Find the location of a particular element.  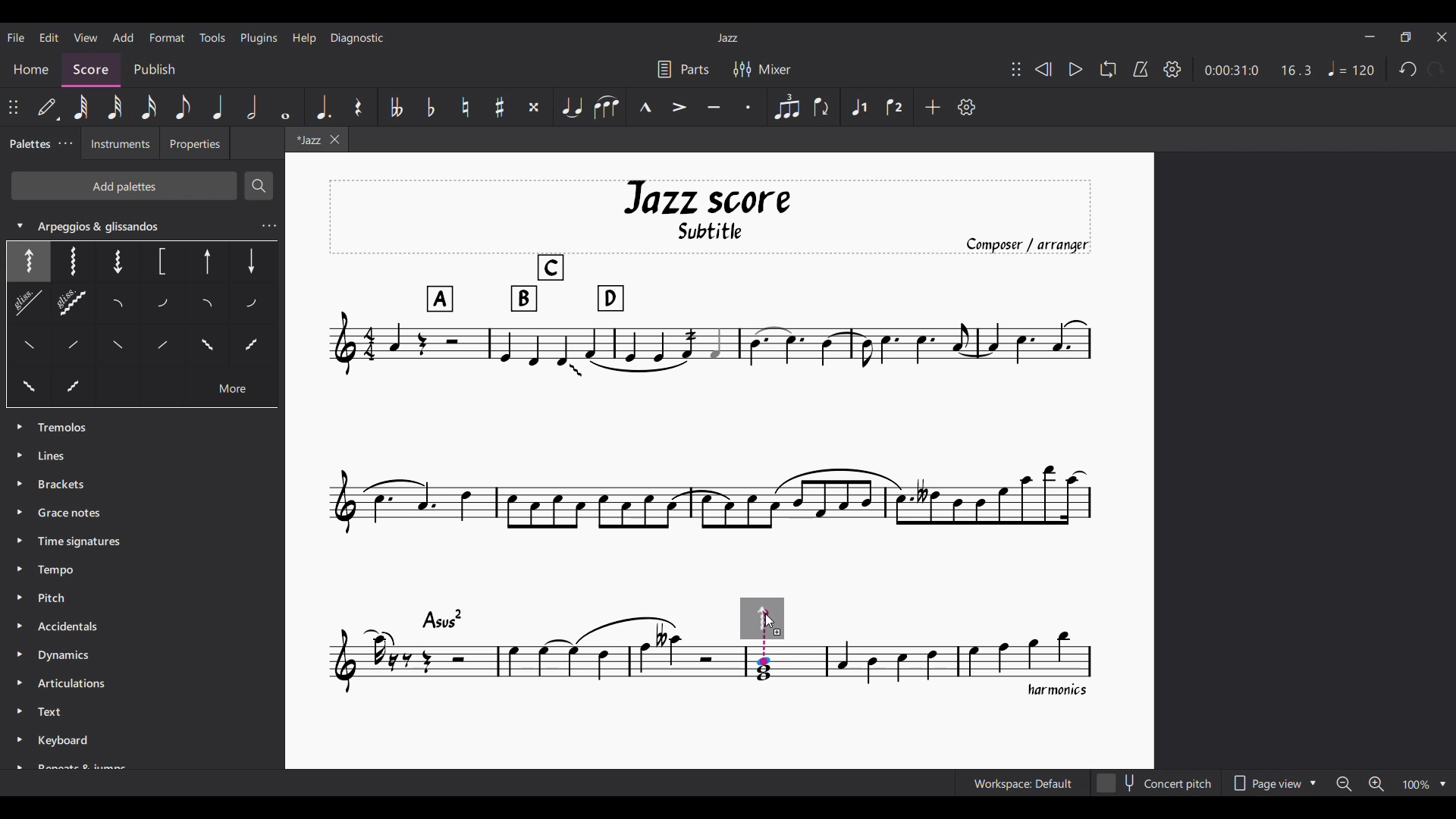

Metronome is located at coordinates (1141, 69).